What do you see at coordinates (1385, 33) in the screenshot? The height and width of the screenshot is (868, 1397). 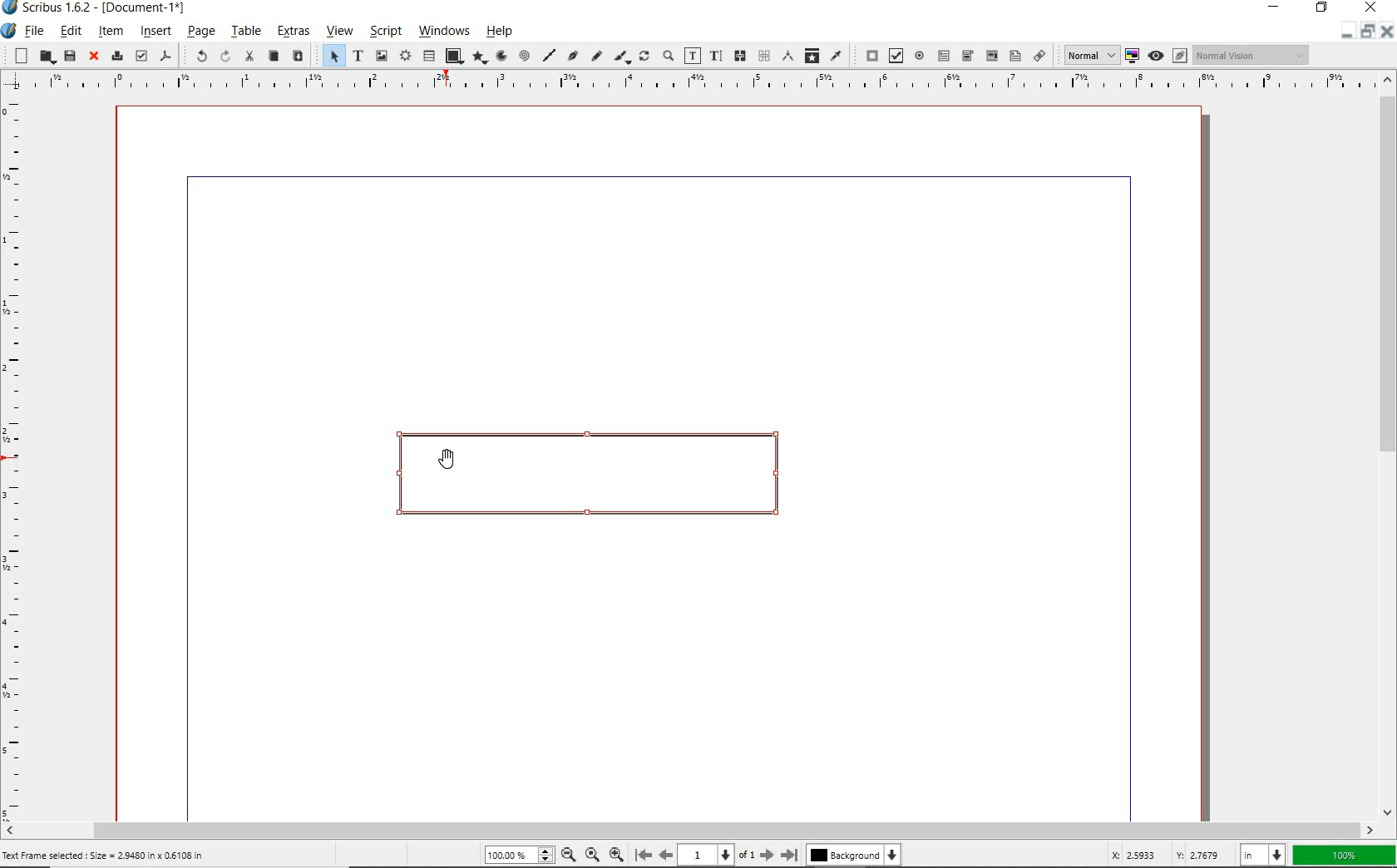 I see `Close` at bounding box center [1385, 33].